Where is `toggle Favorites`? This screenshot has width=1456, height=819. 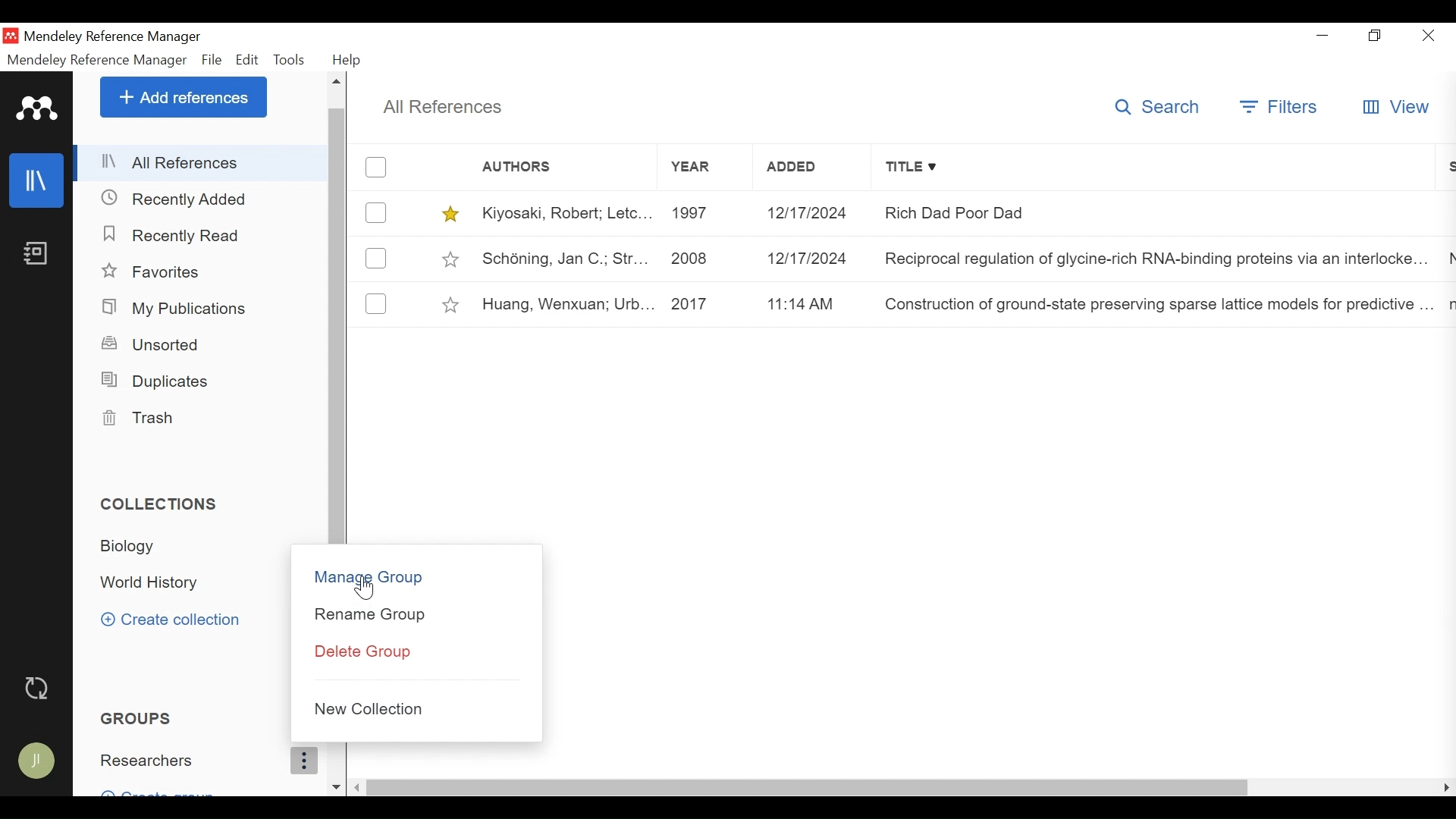 toggle Favorites is located at coordinates (453, 304).